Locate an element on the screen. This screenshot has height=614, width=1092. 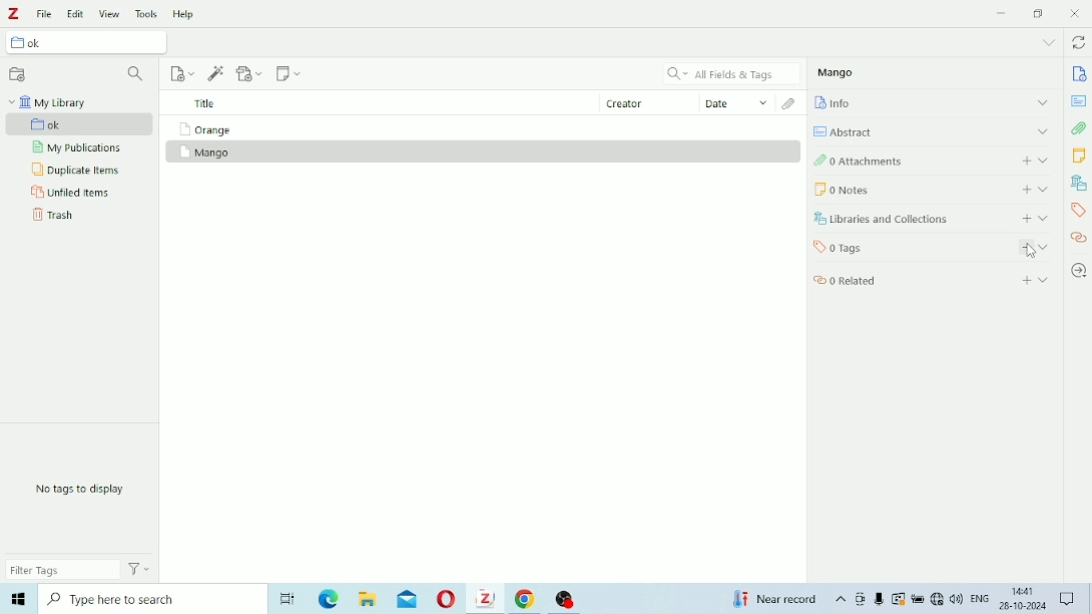
Info is located at coordinates (933, 101).